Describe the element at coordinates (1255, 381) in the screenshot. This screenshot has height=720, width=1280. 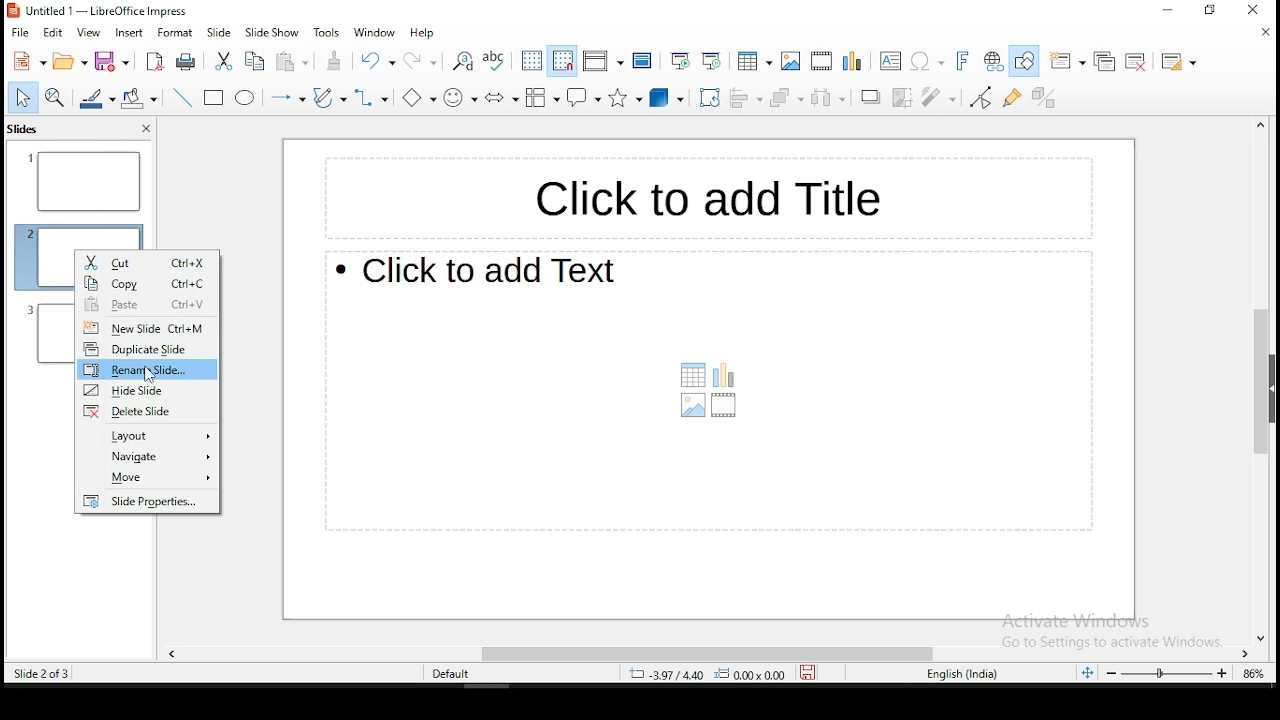
I see `scroll bar` at that location.